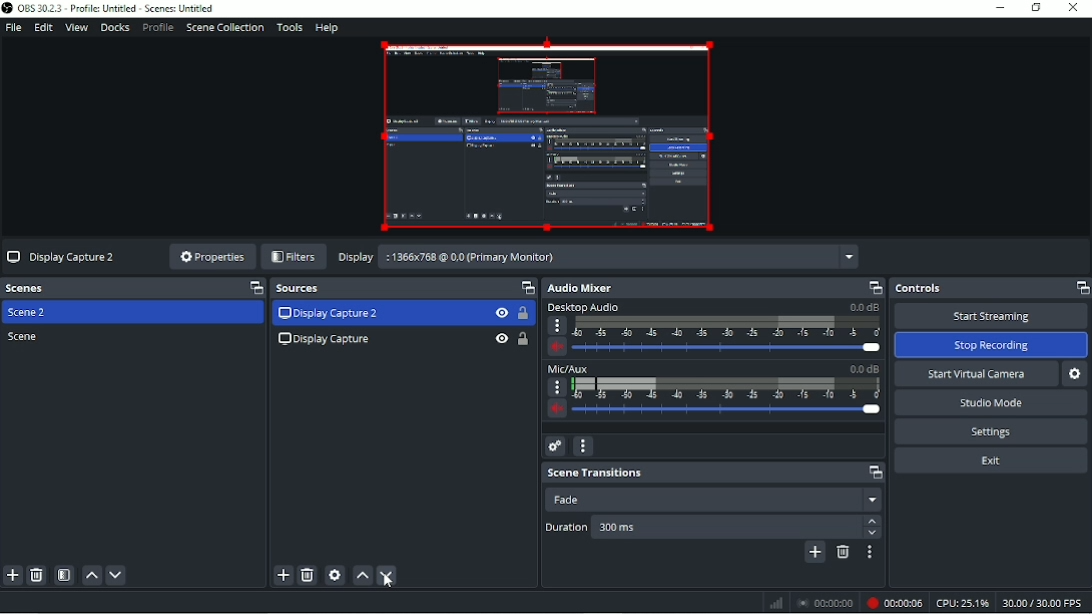 The width and height of the screenshot is (1092, 614). Describe the element at coordinates (553, 446) in the screenshot. I see `Advanced audio properties` at that location.